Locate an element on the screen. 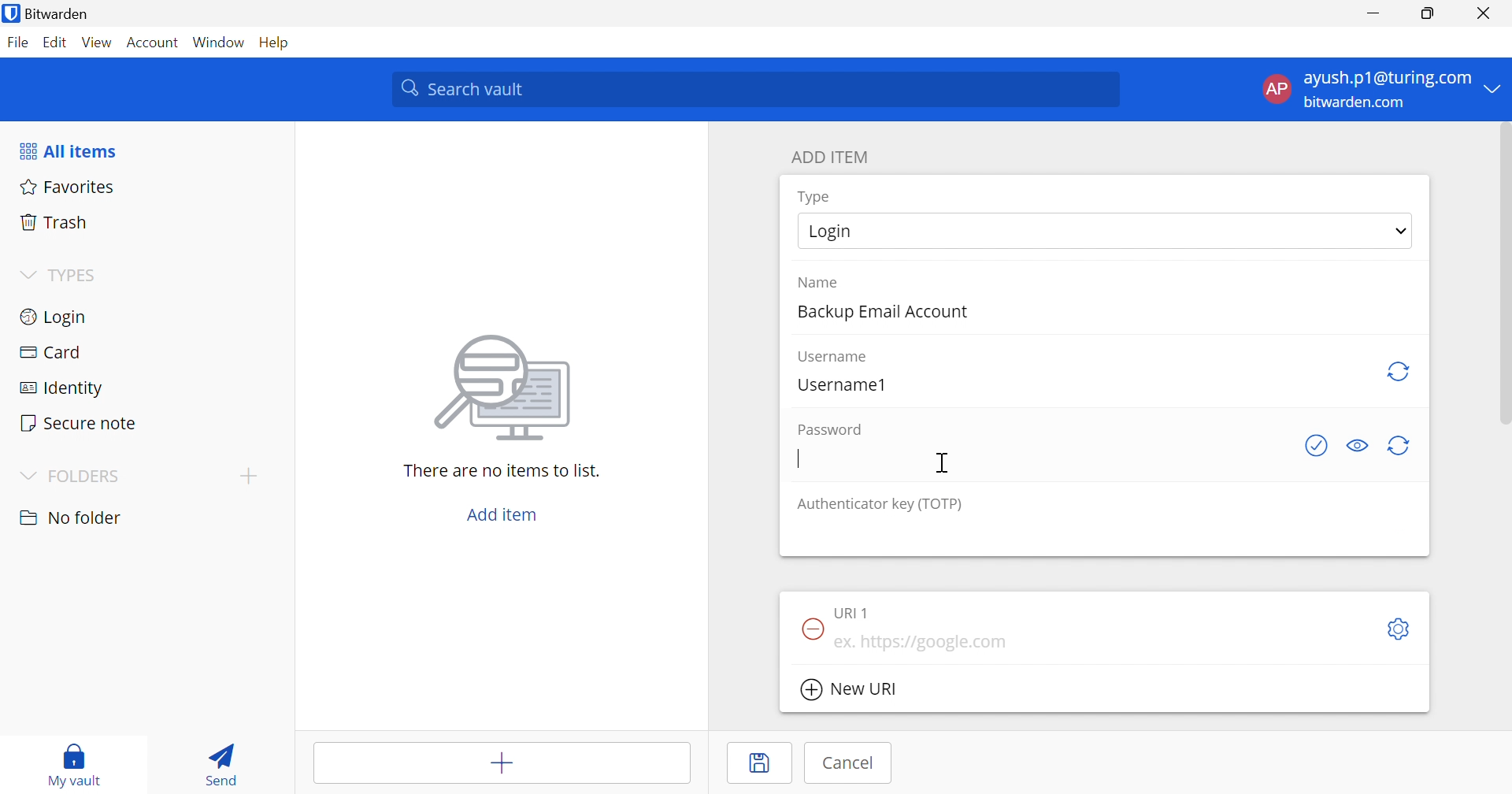  Name is located at coordinates (818, 283).